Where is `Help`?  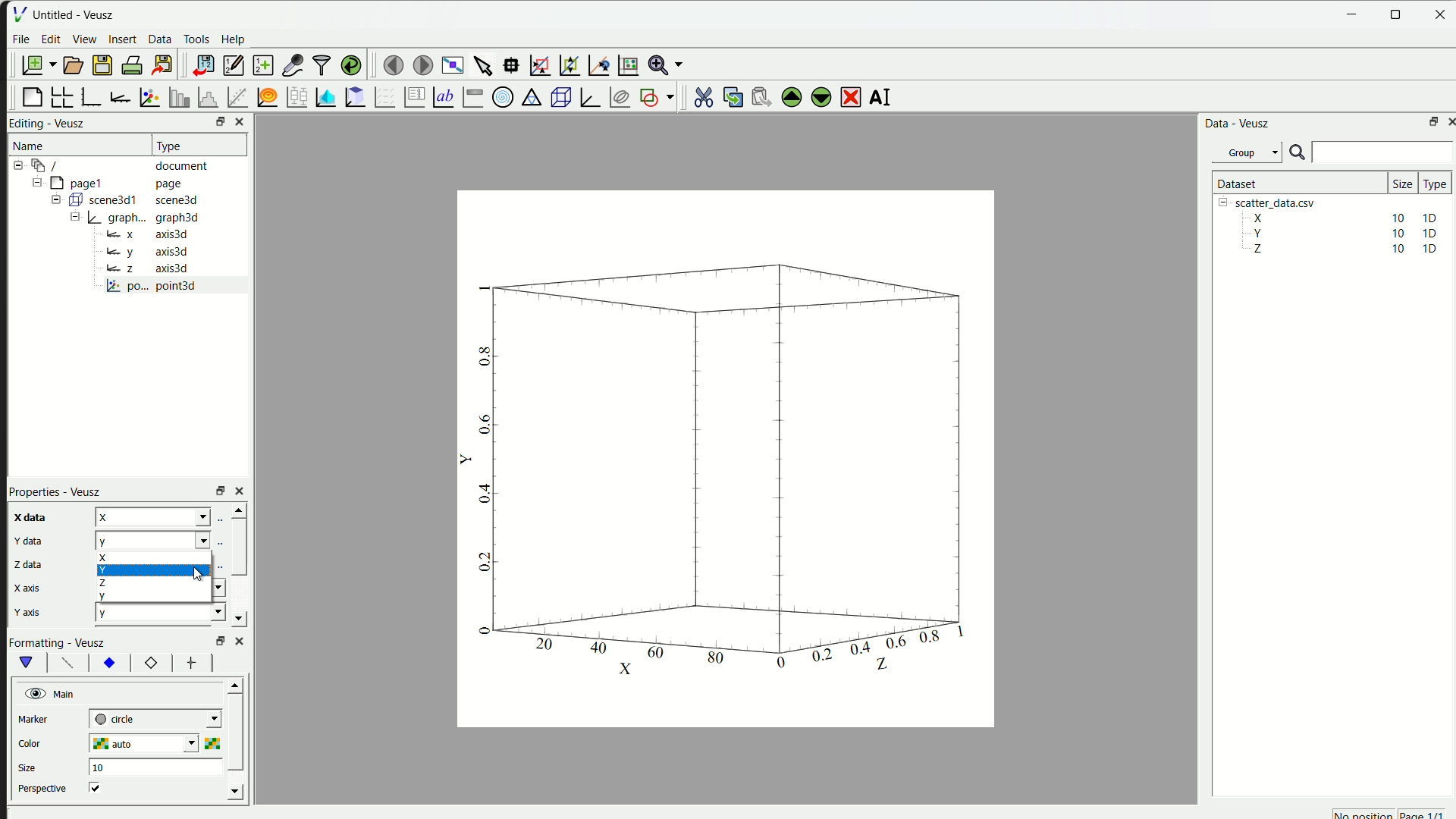
Help is located at coordinates (233, 38).